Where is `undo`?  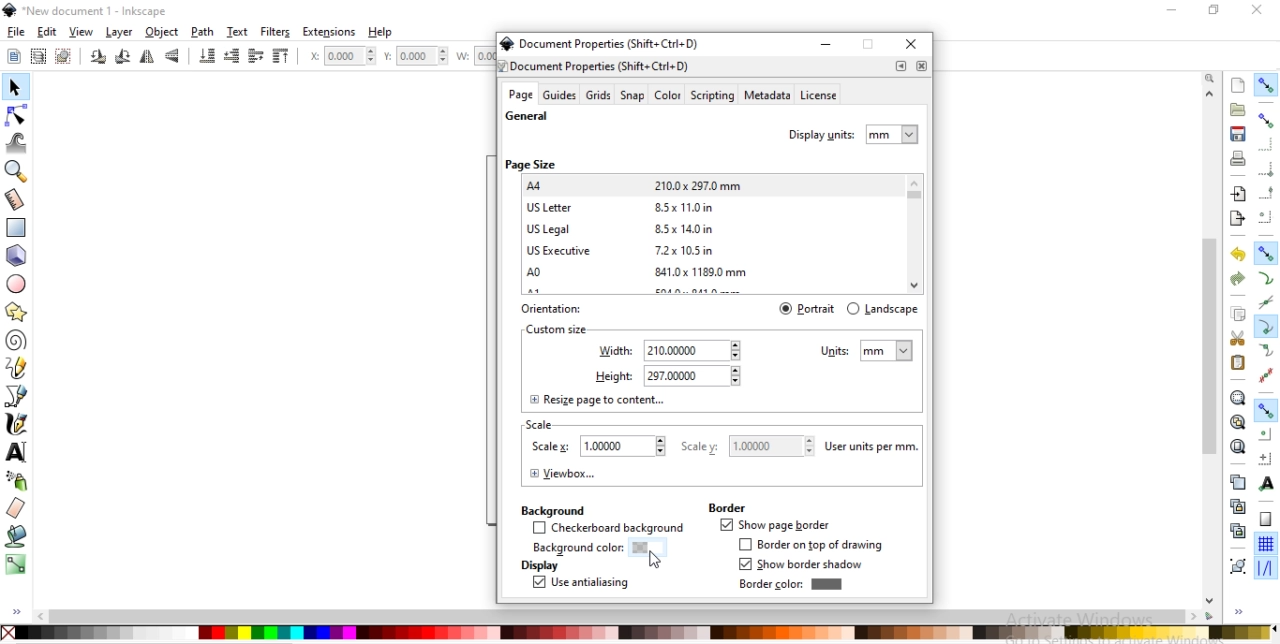
undo is located at coordinates (1235, 255).